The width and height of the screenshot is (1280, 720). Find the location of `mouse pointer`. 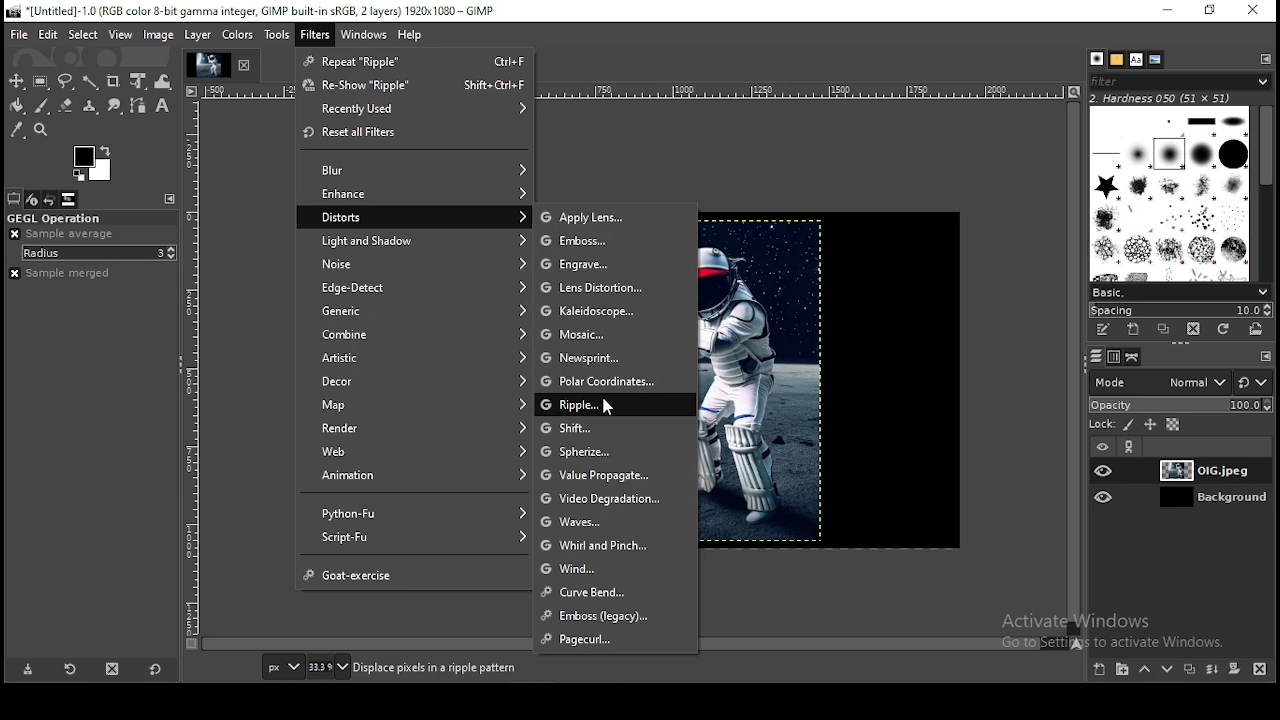

mouse pointer is located at coordinates (608, 409).